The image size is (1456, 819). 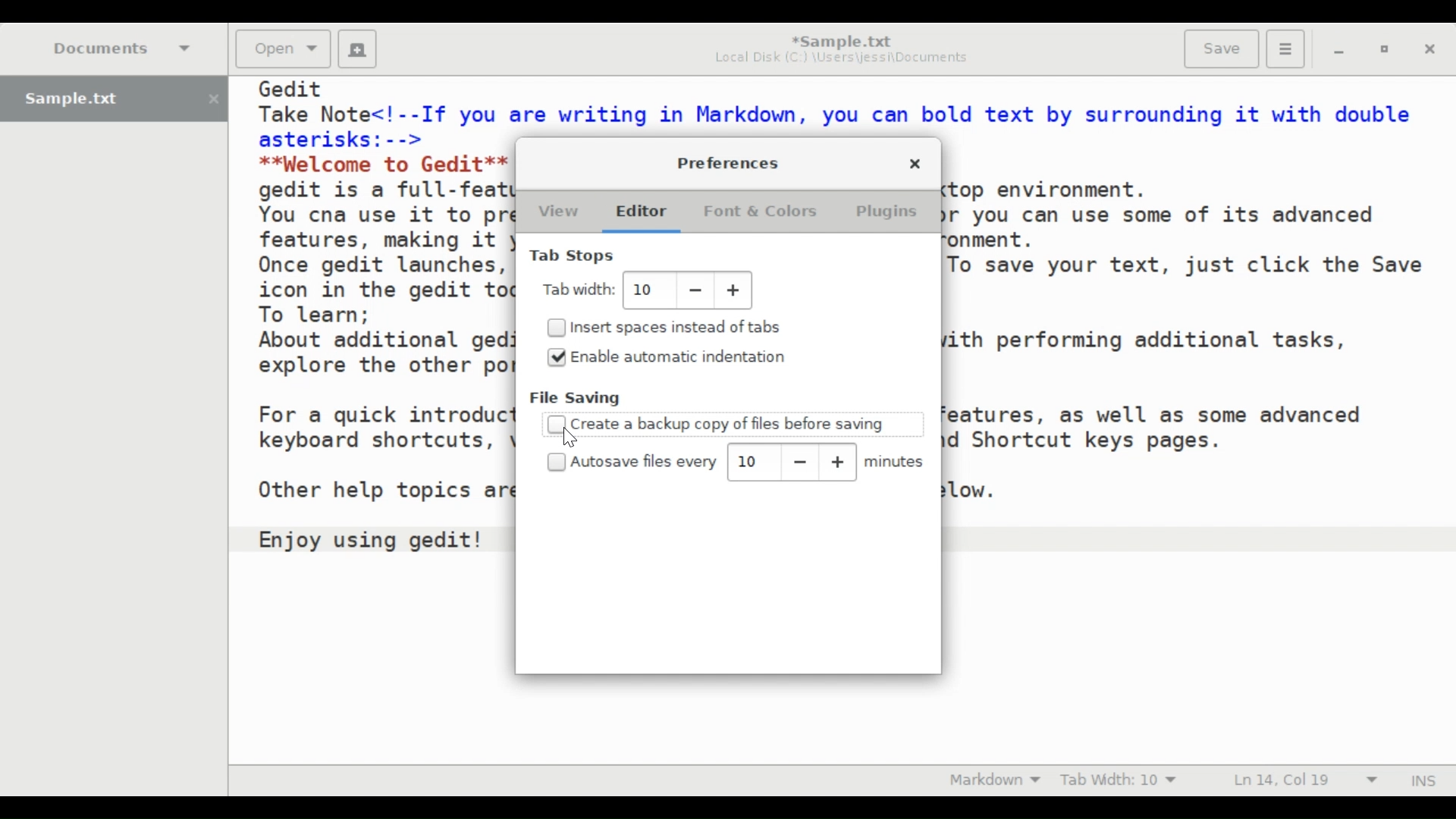 What do you see at coordinates (1341, 51) in the screenshot?
I see `minimize` at bounding box center [1341, 51].